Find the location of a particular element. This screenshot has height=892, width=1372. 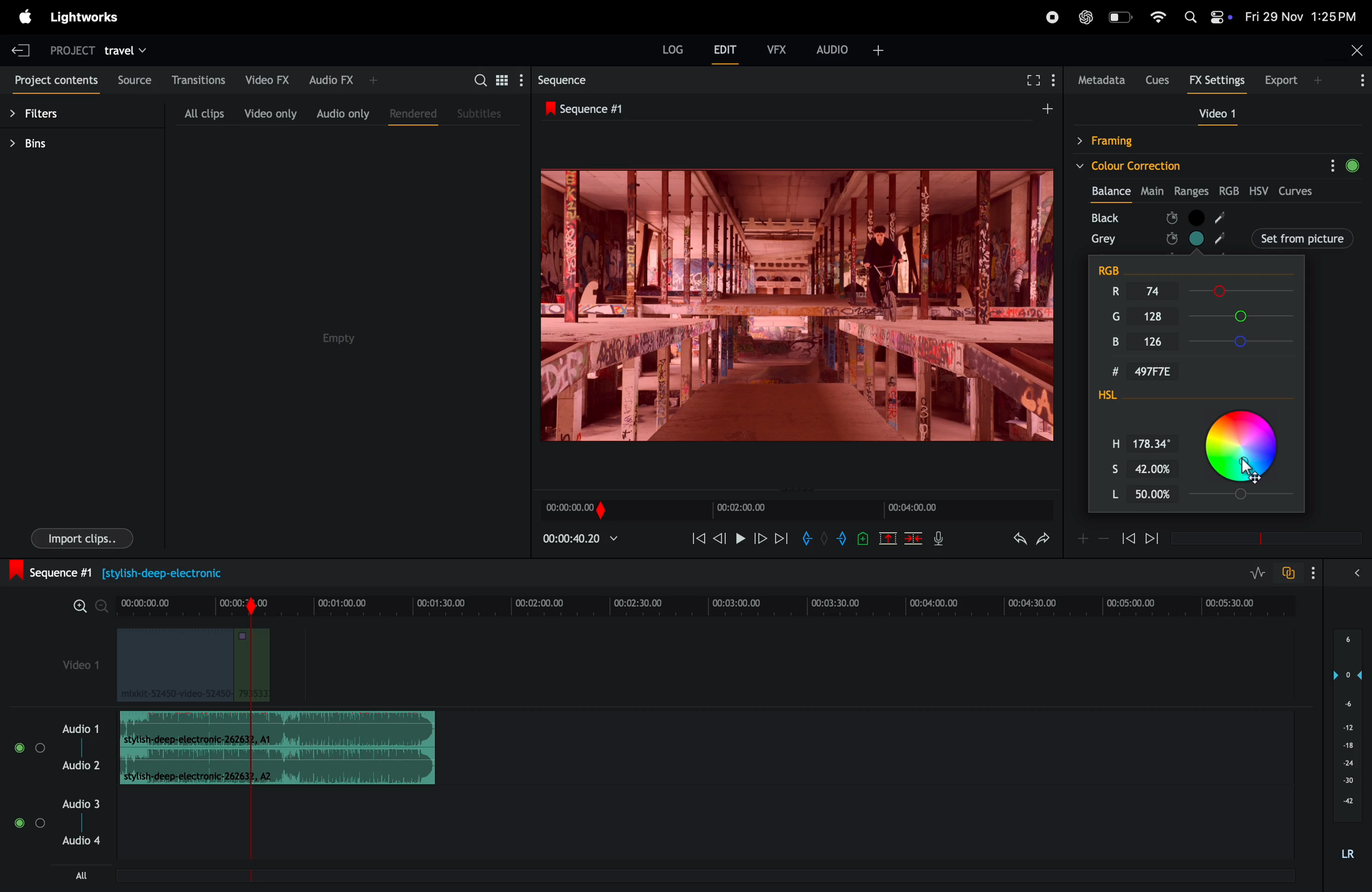

 is located at coordinates (846, 48).